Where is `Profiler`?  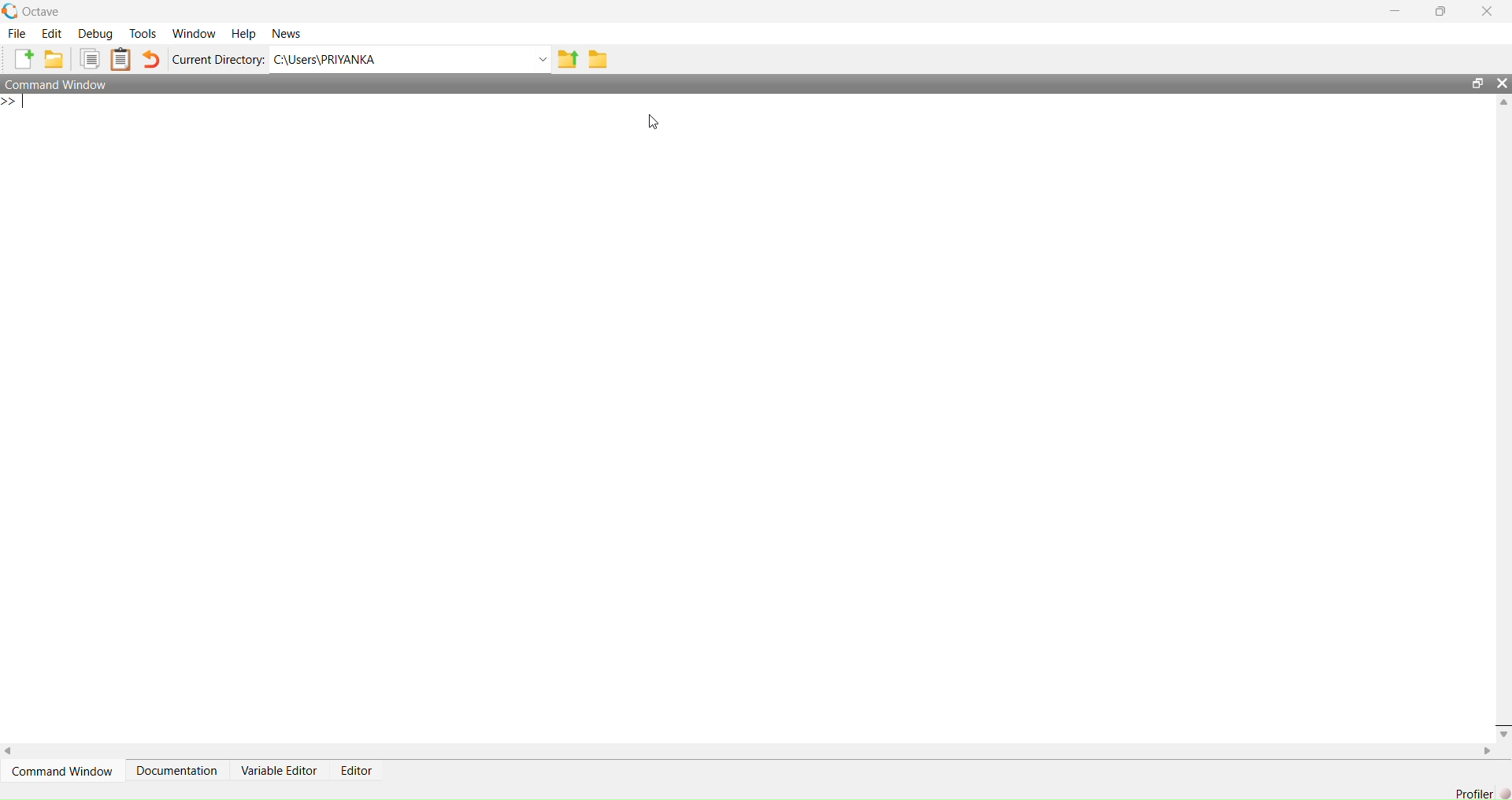 Profiler is located at coordinates (1478, 791).